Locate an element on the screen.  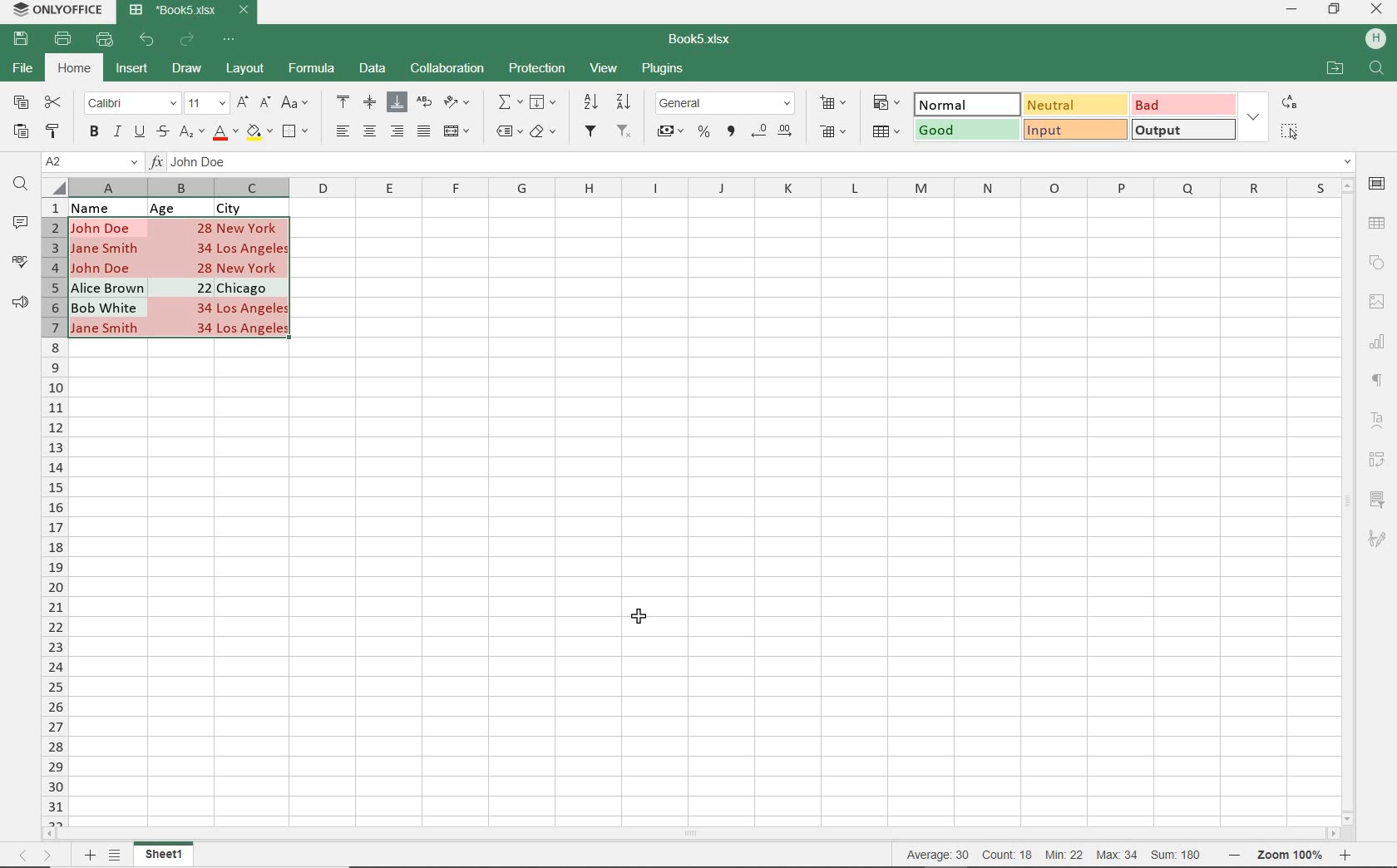
NORMAL is located at coordinates (959, 105).